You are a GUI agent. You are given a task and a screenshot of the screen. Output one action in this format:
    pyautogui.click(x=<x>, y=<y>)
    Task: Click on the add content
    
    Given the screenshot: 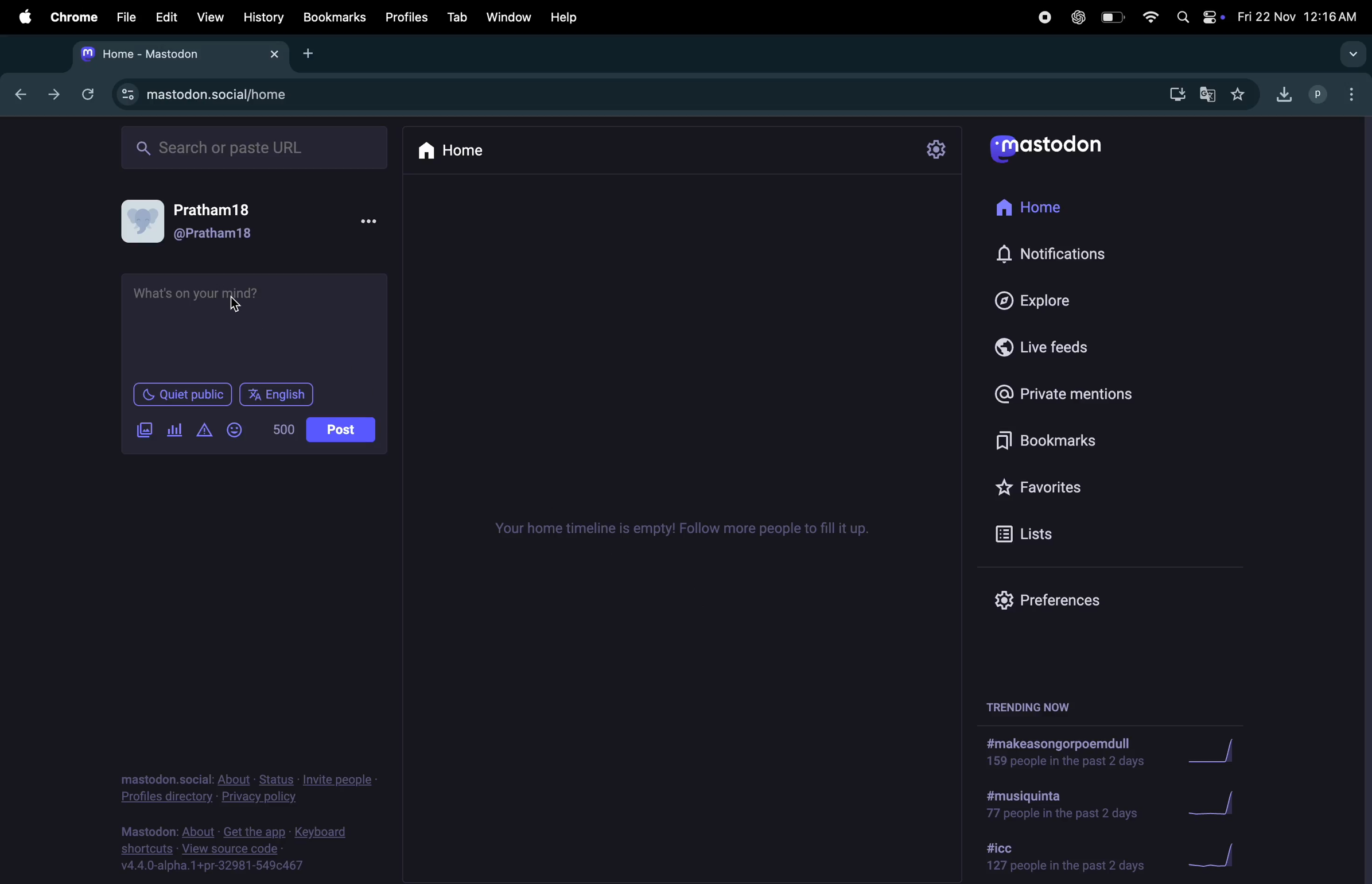 What is the action you would take?
    pyautogui.click(x=200, y=430)
    